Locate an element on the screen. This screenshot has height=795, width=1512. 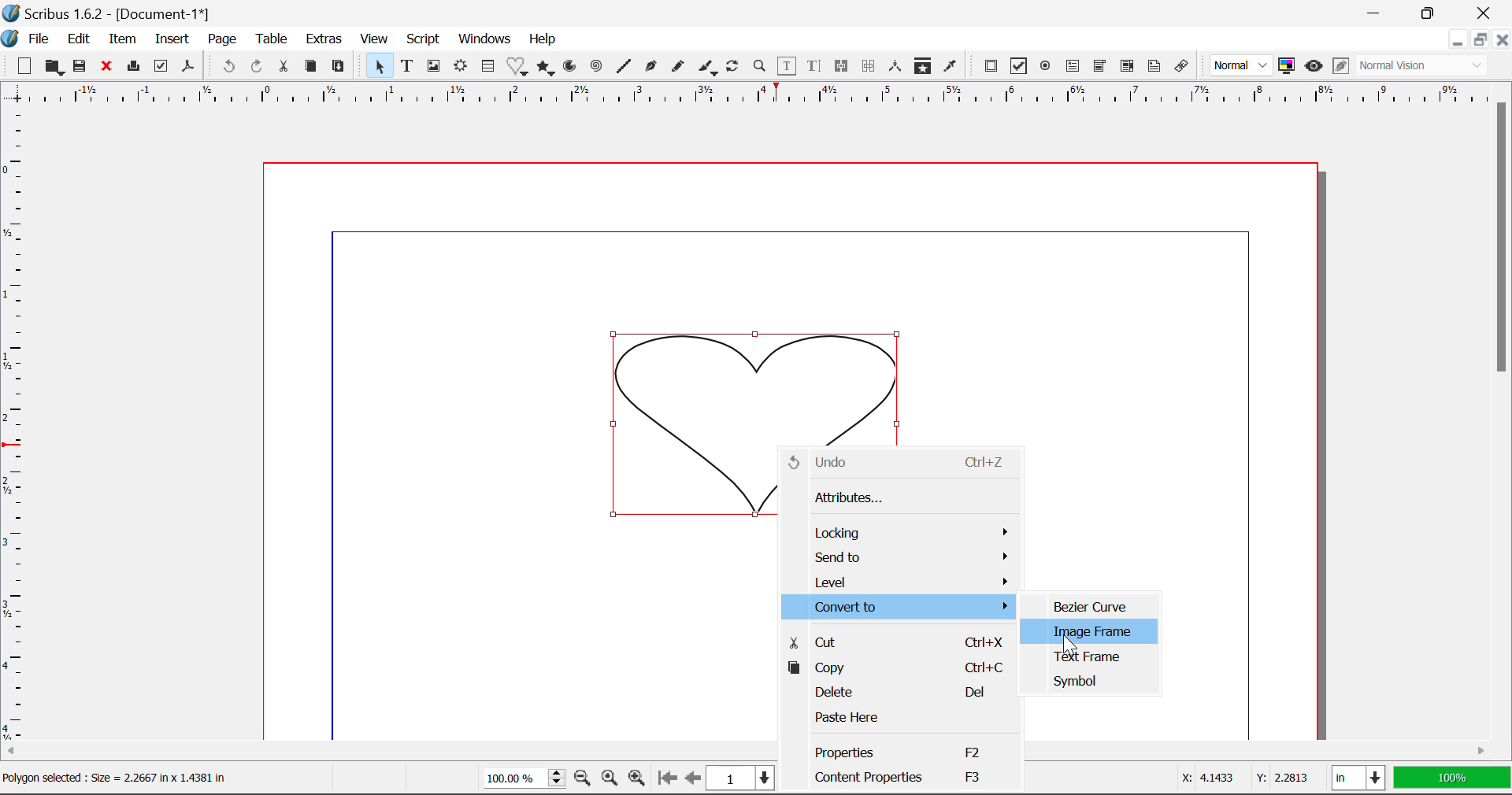
Polygon selected : Size = 2.2667 in x 1.4381 in is located at coordinates (115, 778).